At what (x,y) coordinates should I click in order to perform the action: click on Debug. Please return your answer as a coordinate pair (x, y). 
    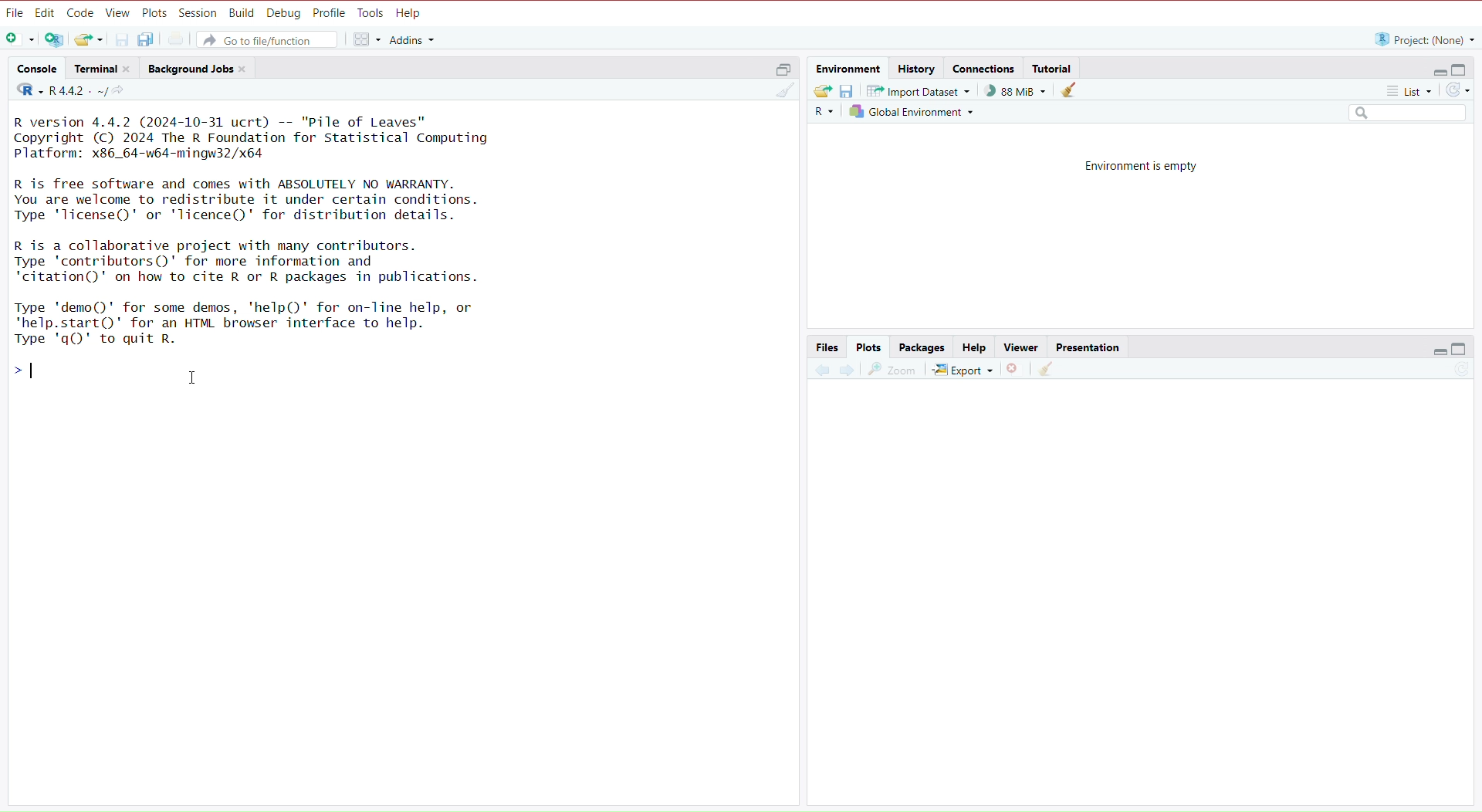
    Looking at the image, I should click on (284, 12).